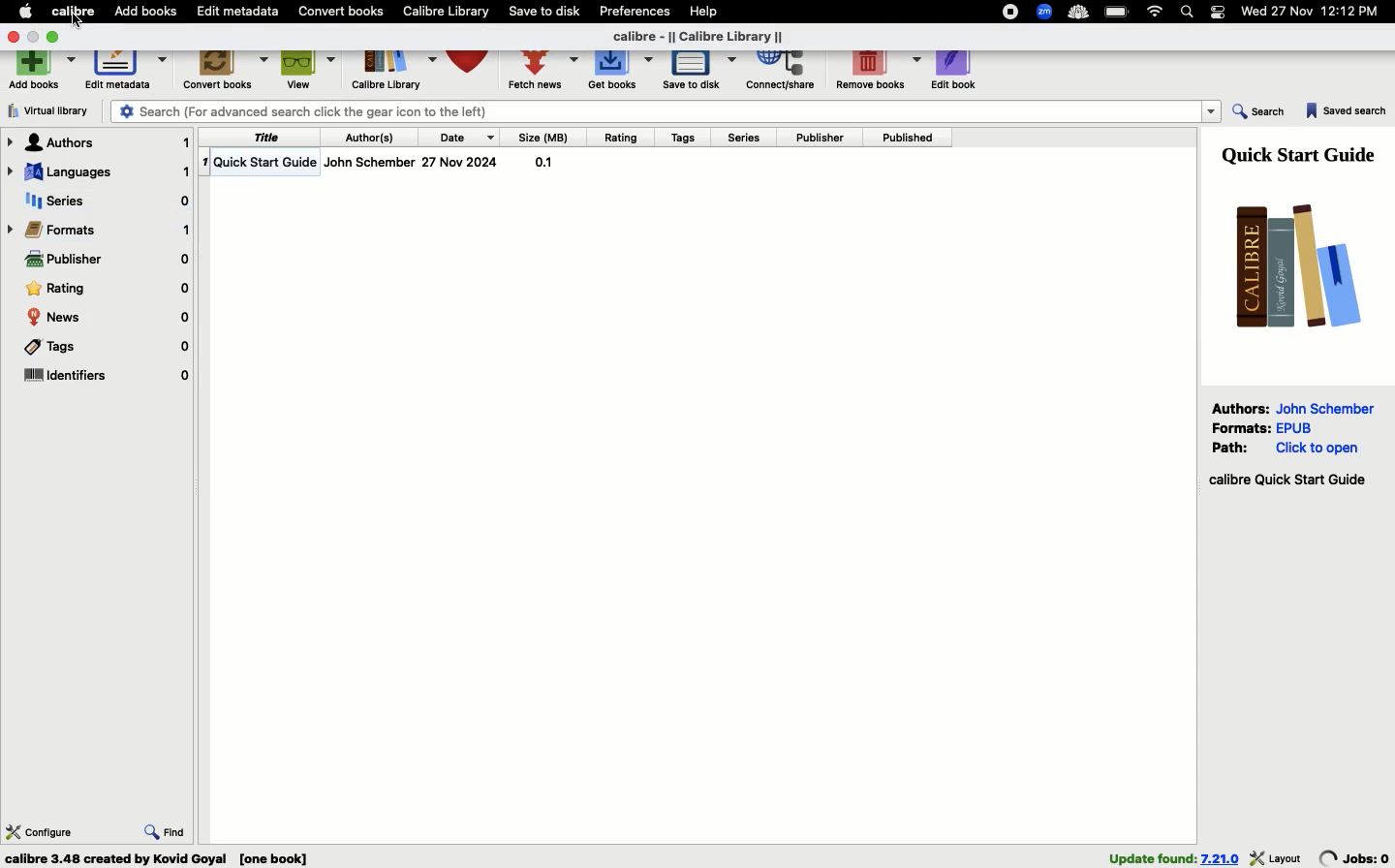 The image size is (1395, 868). Describe the element at coordinates (702, 10) in the screenshot. I see `Help` at that location.